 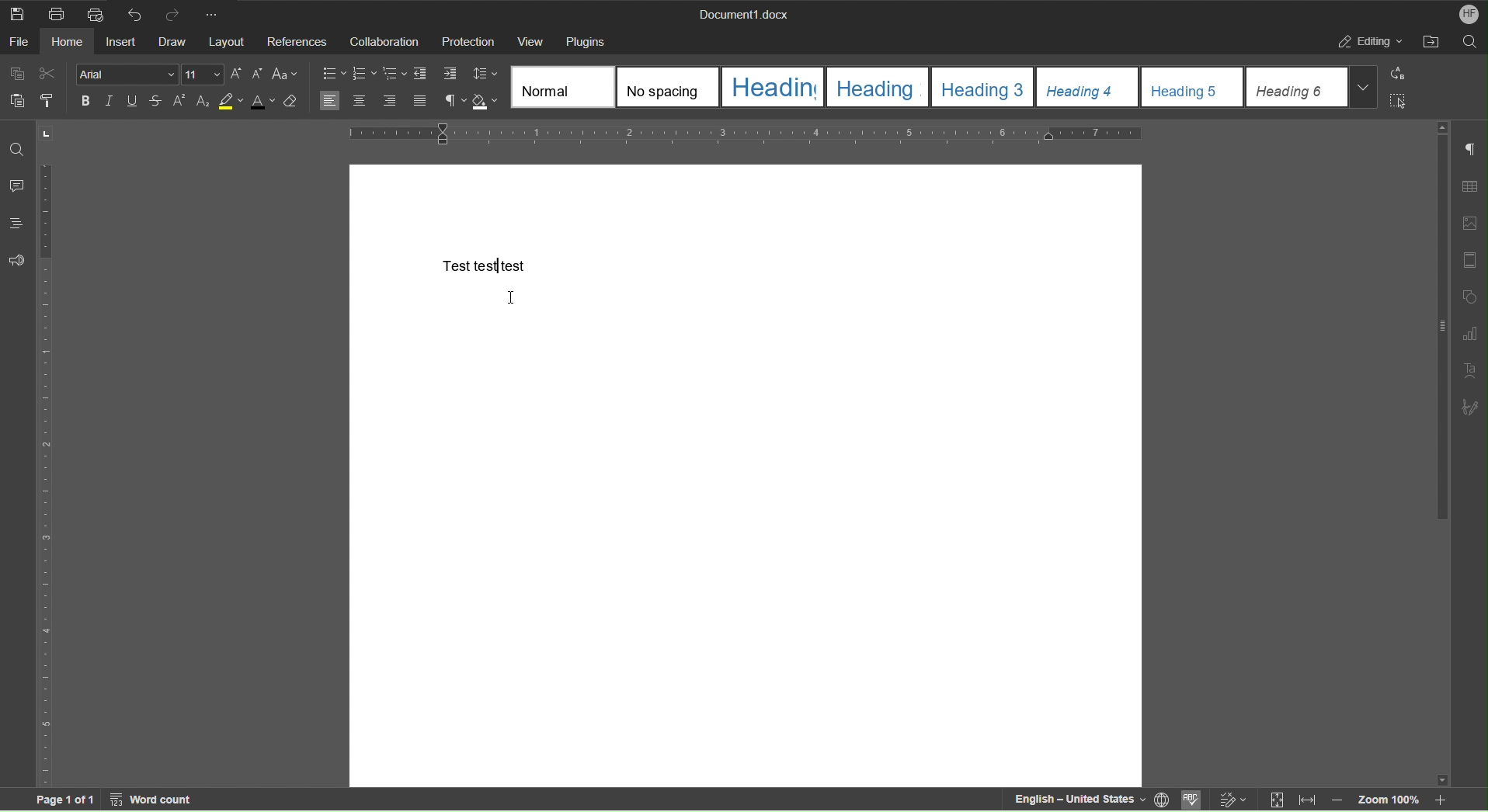 I want to click on Spellcheck, so click(x=1194, y=801).